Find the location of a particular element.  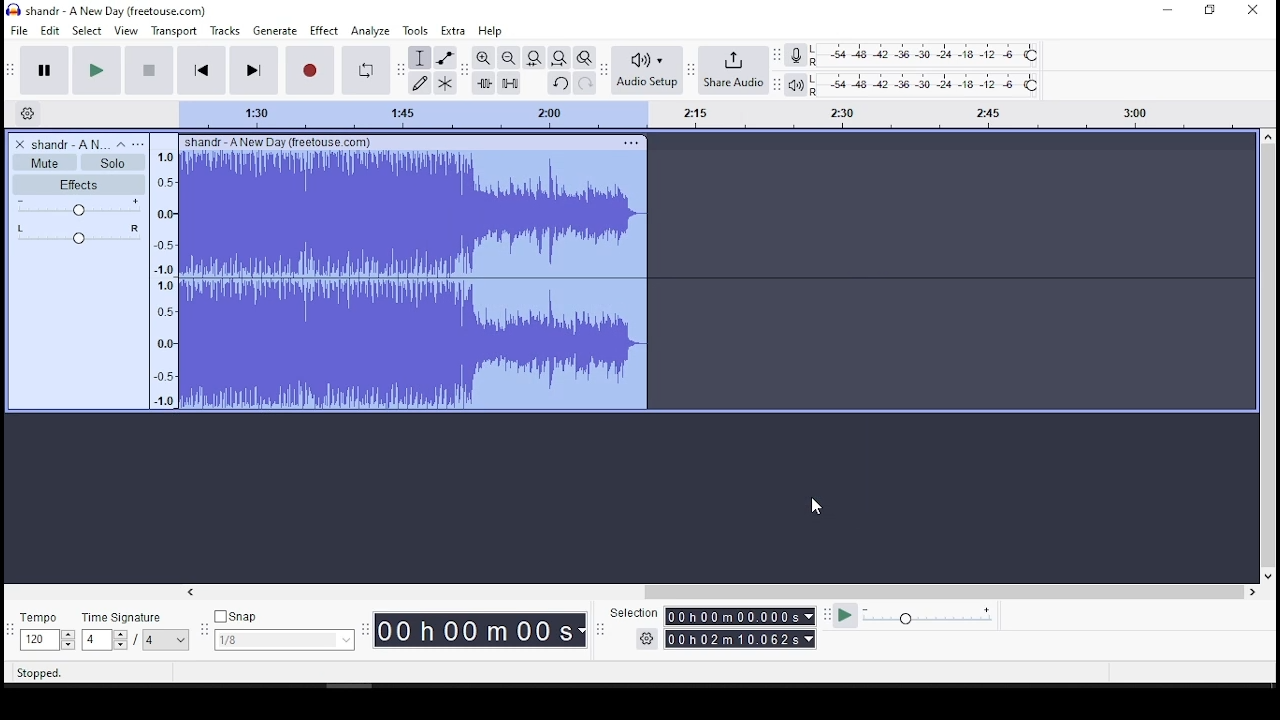

zoom toggle is located at coordinates (585, 57).